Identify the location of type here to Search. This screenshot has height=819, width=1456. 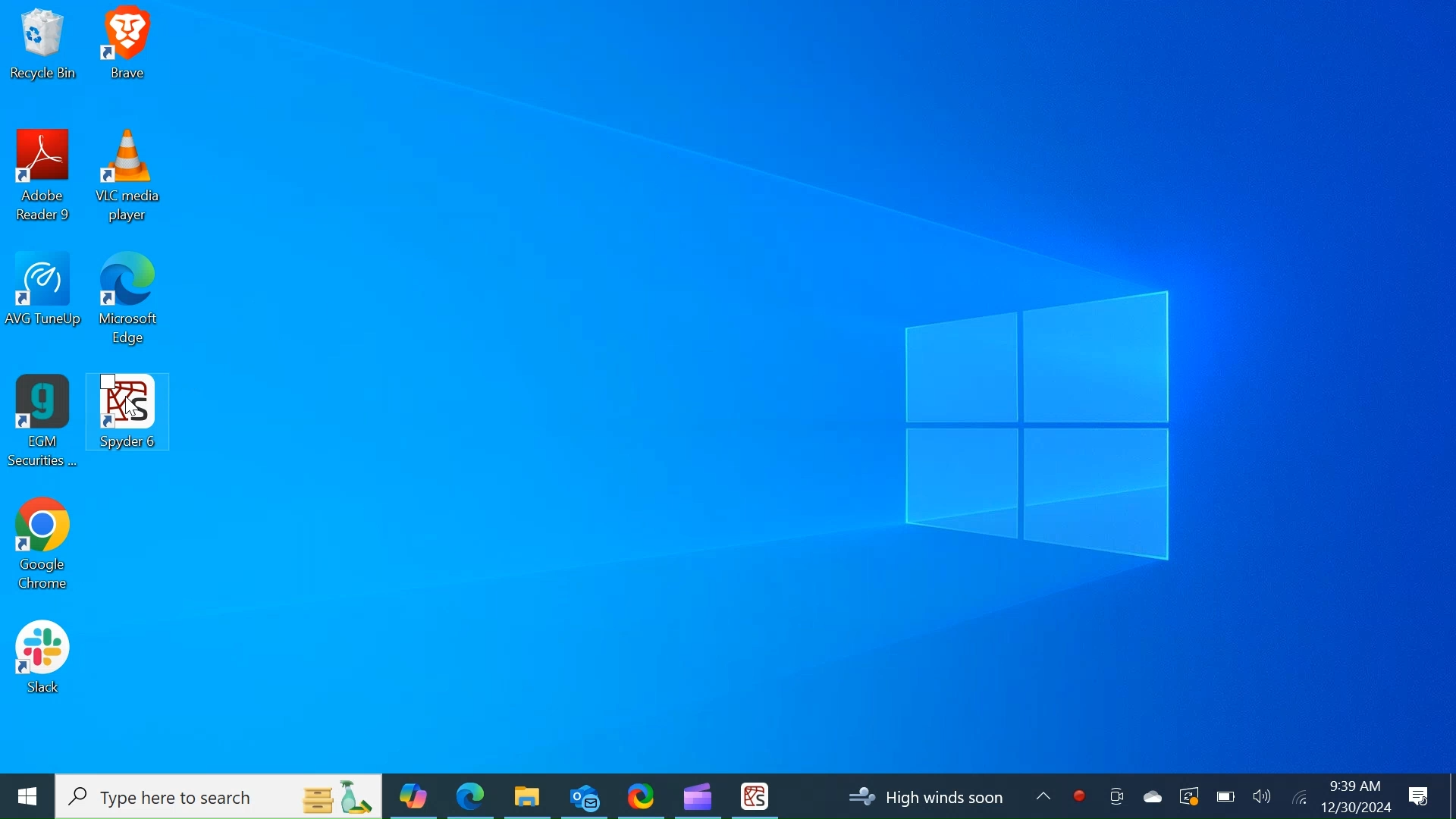
(220, 797).